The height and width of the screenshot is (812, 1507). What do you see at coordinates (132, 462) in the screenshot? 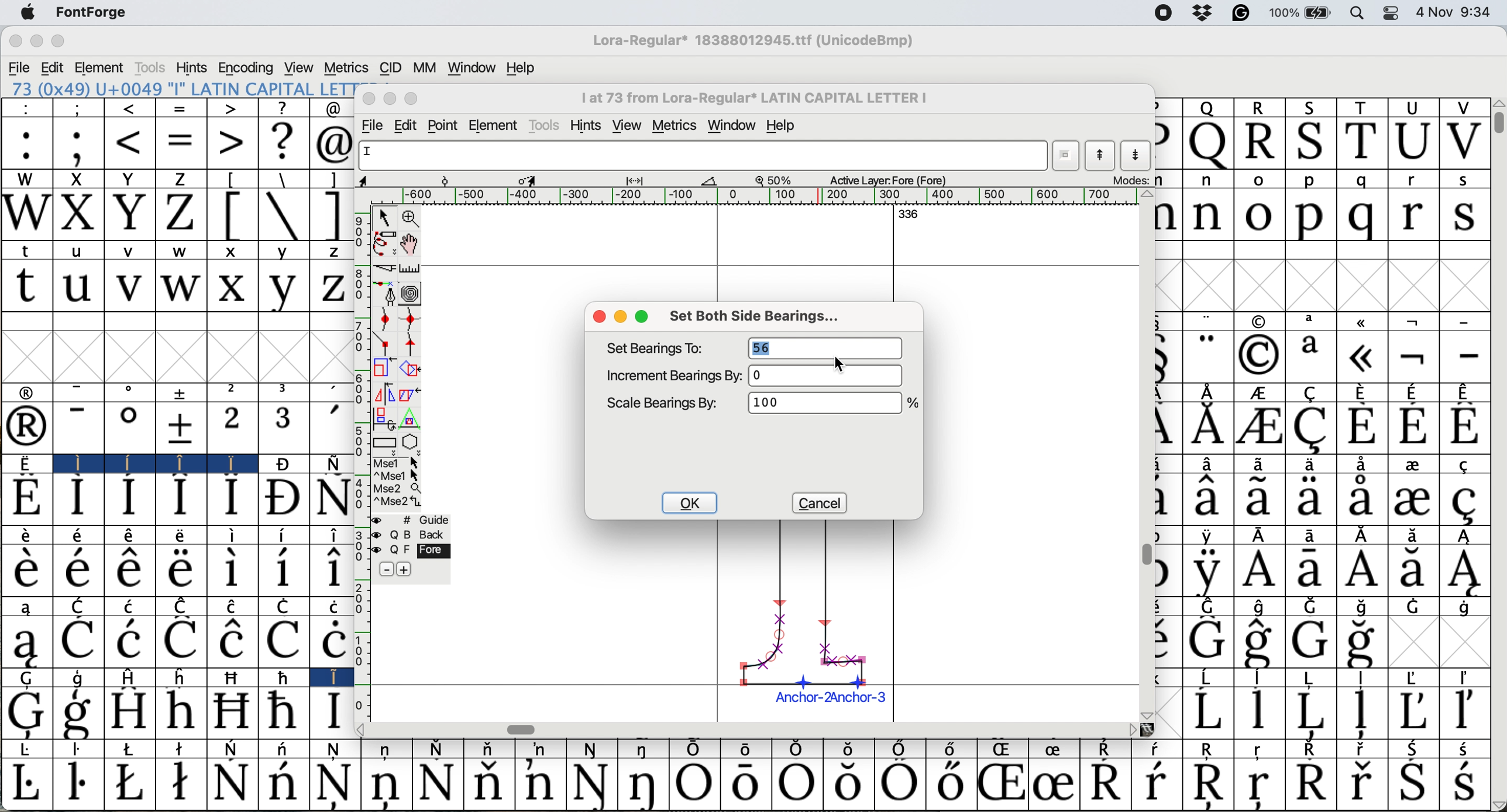
I see `Symbol` at bounding box center [132, 462].